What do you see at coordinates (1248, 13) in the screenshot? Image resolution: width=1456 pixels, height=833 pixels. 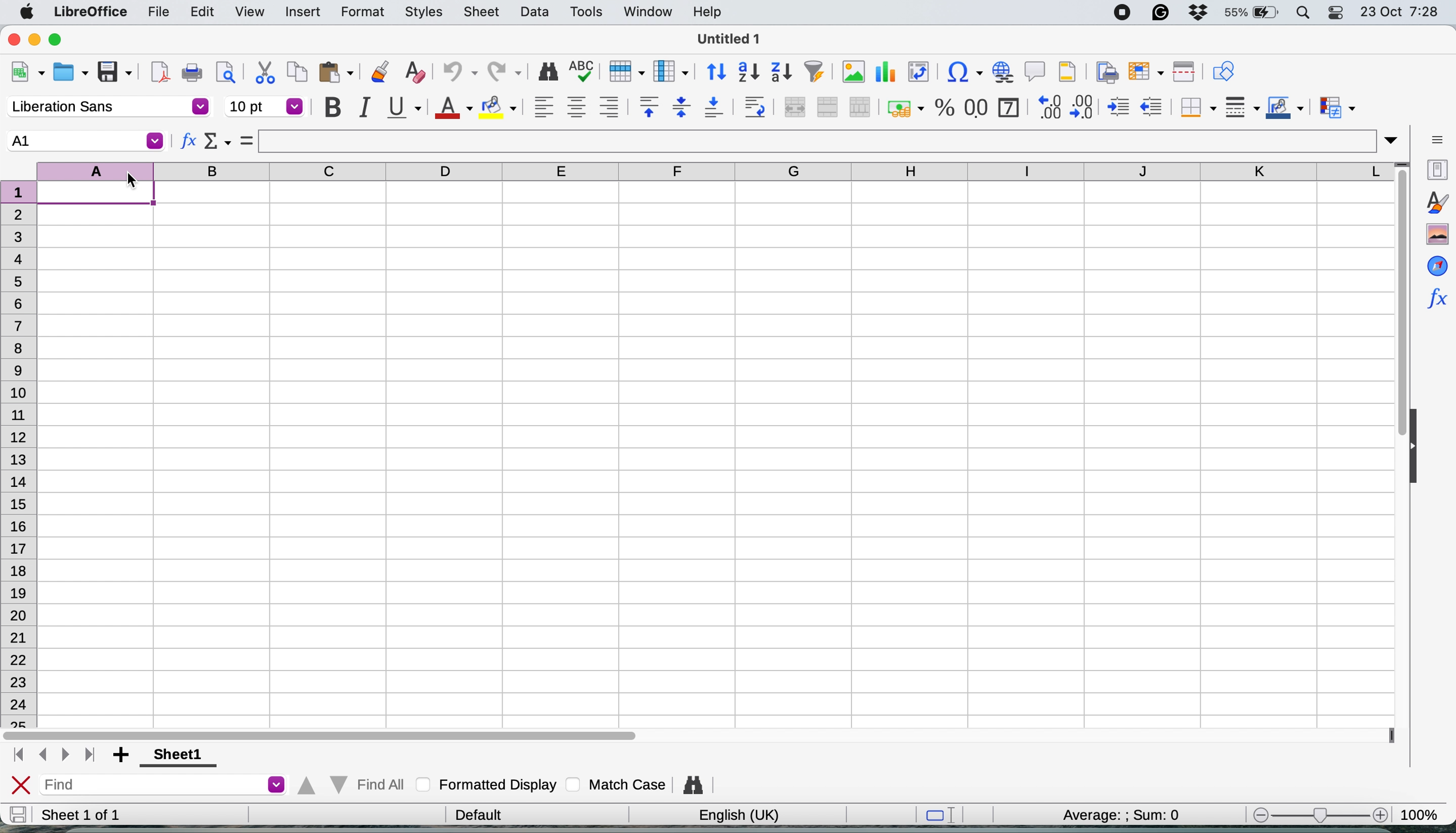 I see `battery` at bounding box center [1248, 13].